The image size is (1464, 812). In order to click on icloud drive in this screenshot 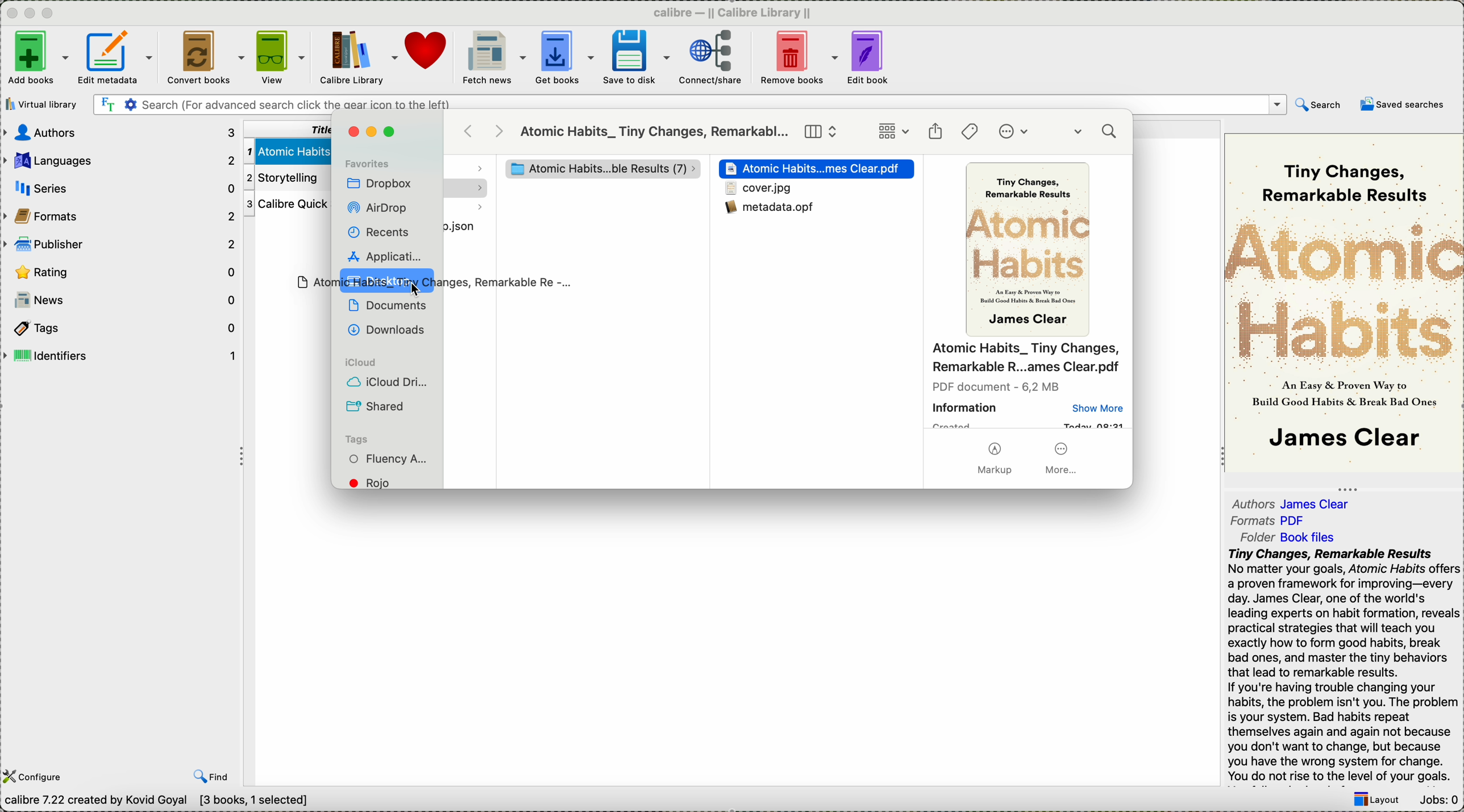, I will do `click(388, 384)`.